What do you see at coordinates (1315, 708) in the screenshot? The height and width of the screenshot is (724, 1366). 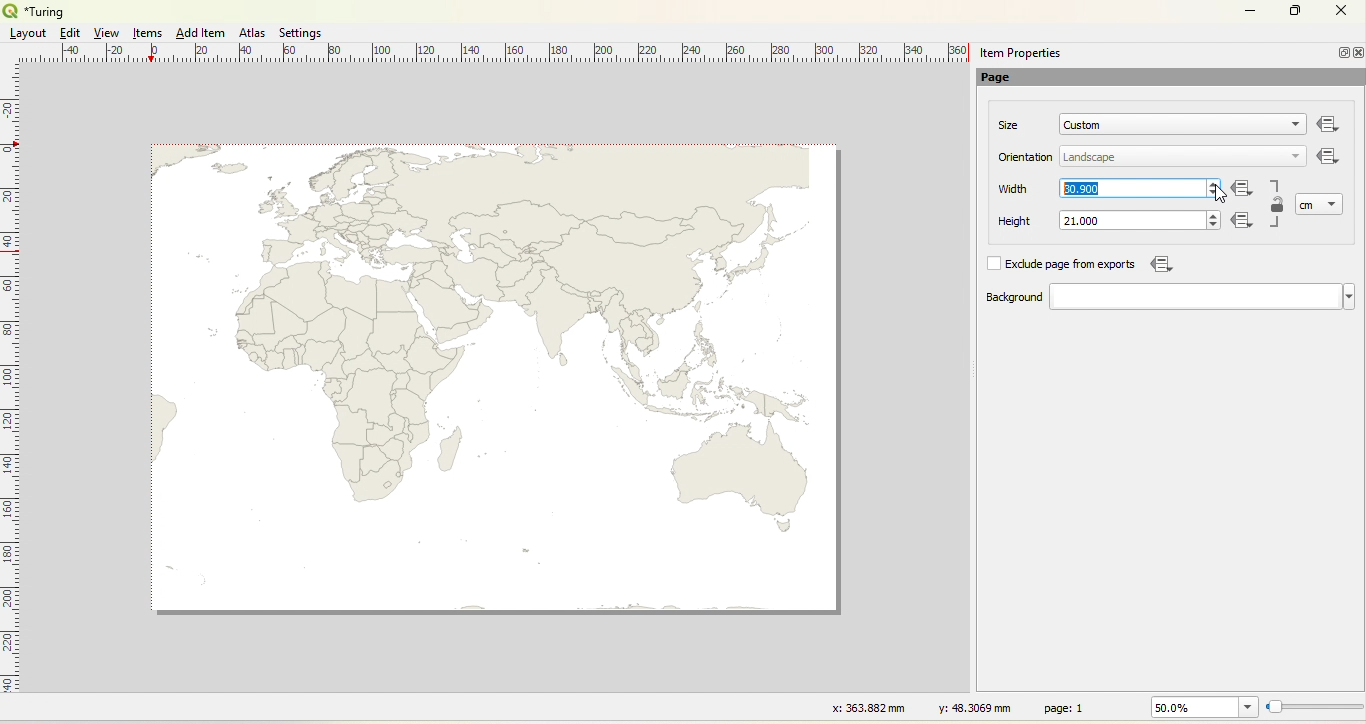 I see `Resize` at bounding box center [1315, 708].